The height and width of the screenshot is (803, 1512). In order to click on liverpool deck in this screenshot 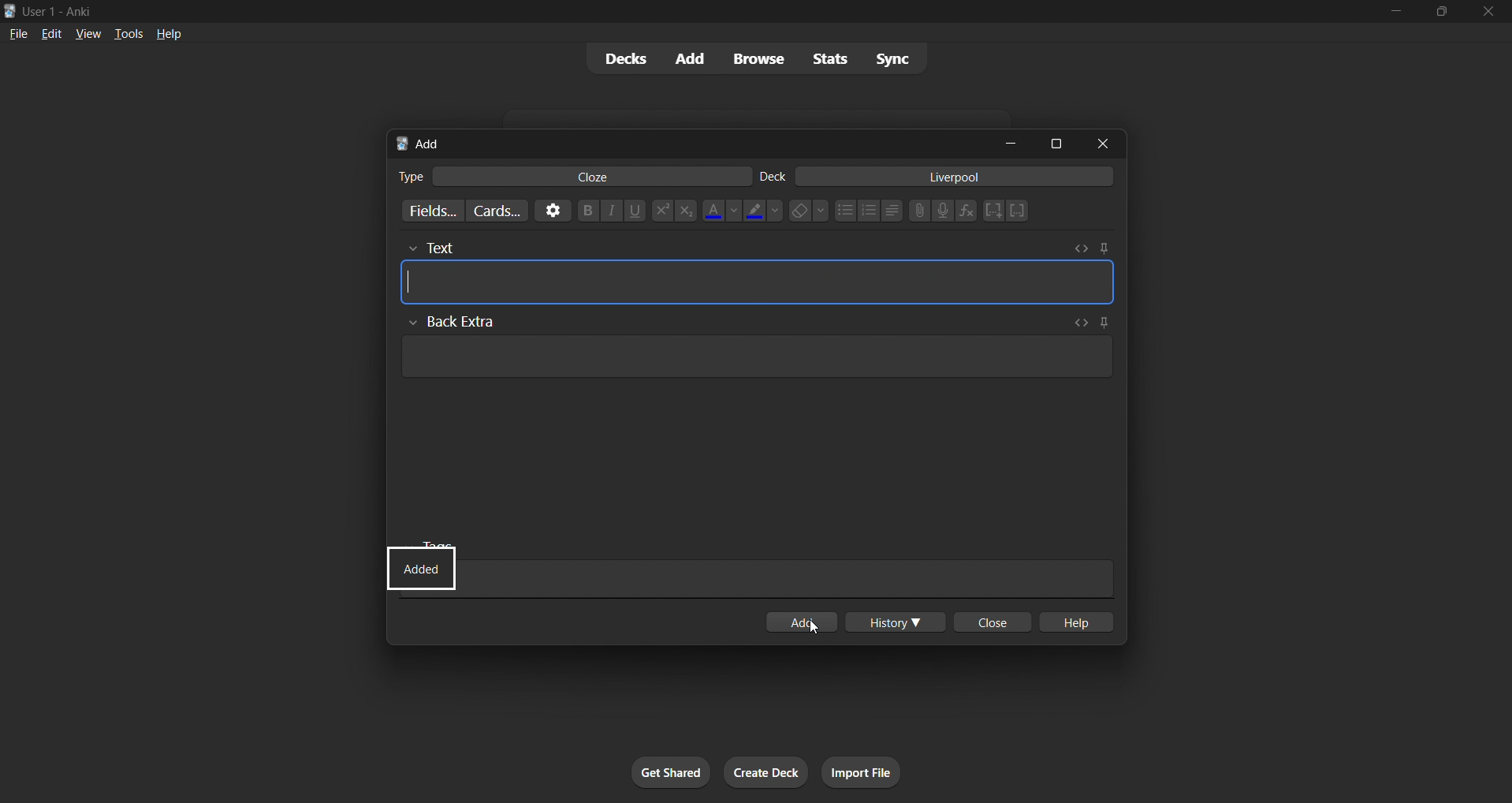, I will do `click(960, 179)`.